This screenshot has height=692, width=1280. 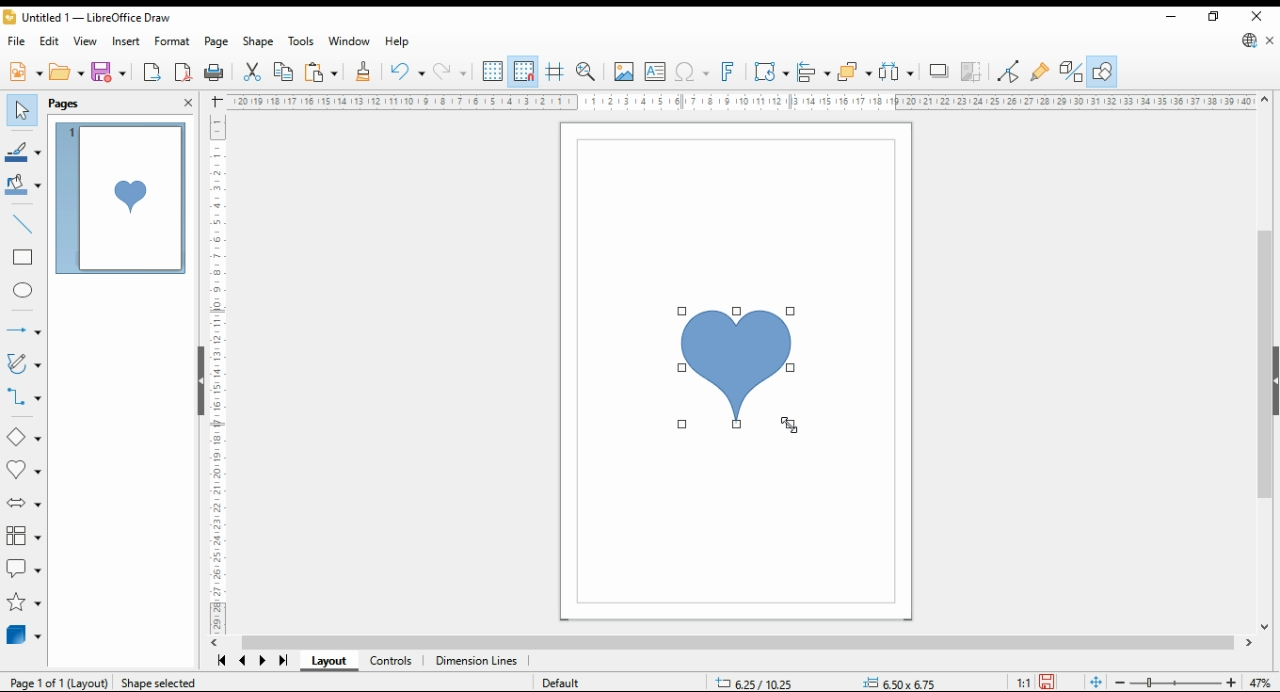 I want to click on Page, so click(x=60, y=682).